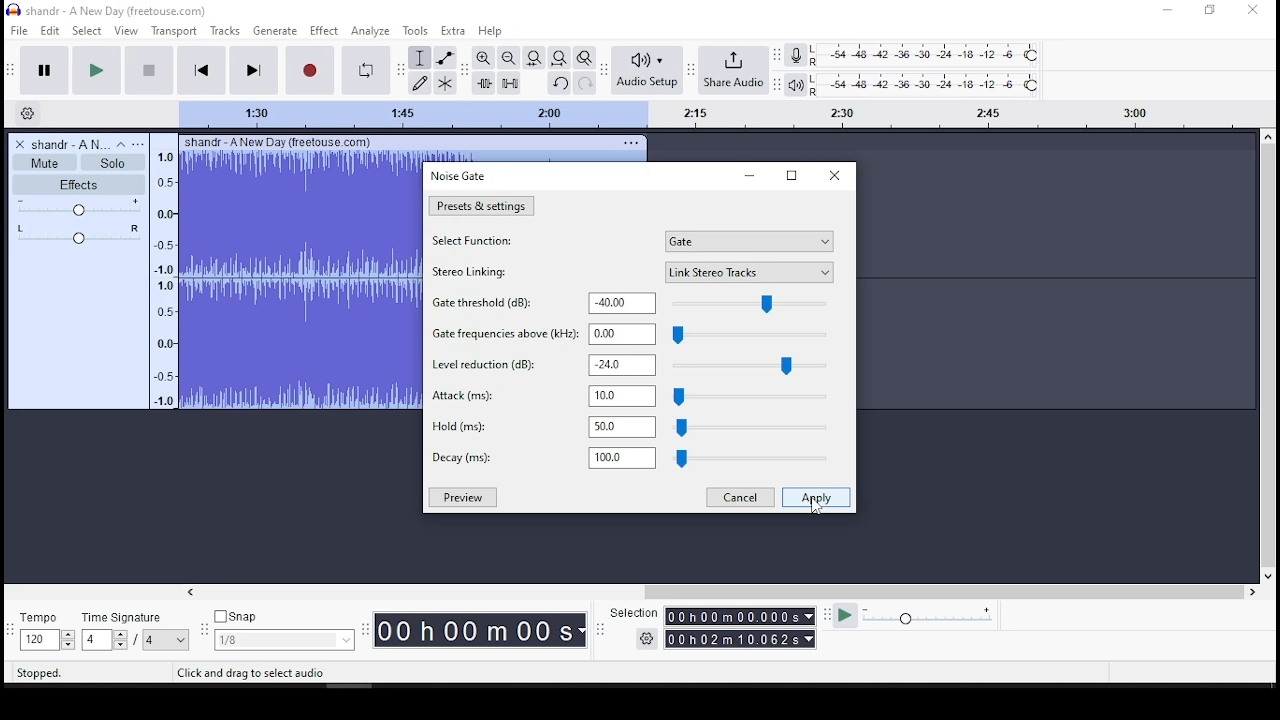 The width and height of the screenshot is (1280, 720). What do you see at coordinates (634, 303) in the screenshot?
I see `gate threshold` at bounding box center [634, 303].